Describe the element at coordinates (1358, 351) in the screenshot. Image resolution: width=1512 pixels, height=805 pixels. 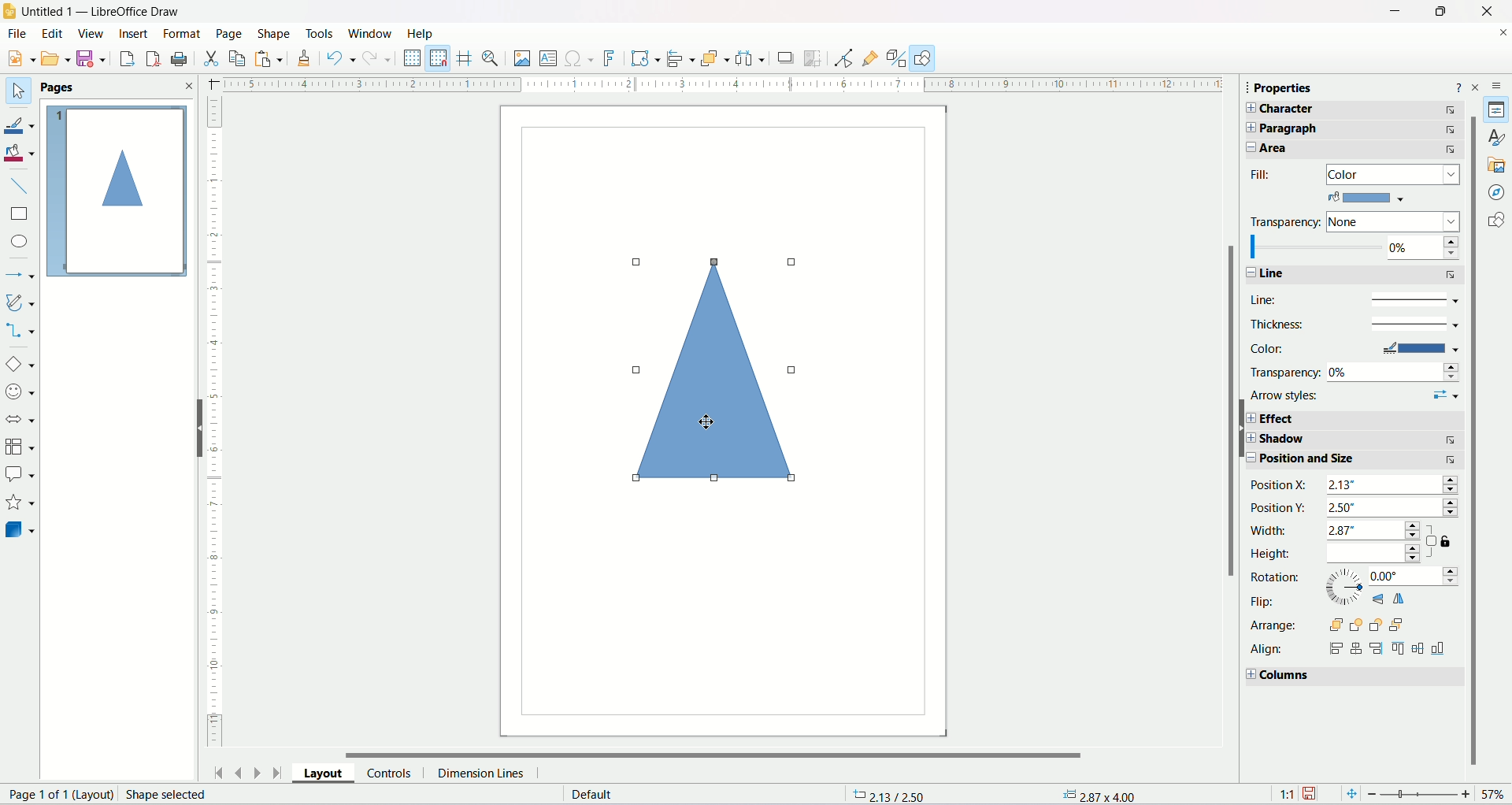
I see `color` at that location.